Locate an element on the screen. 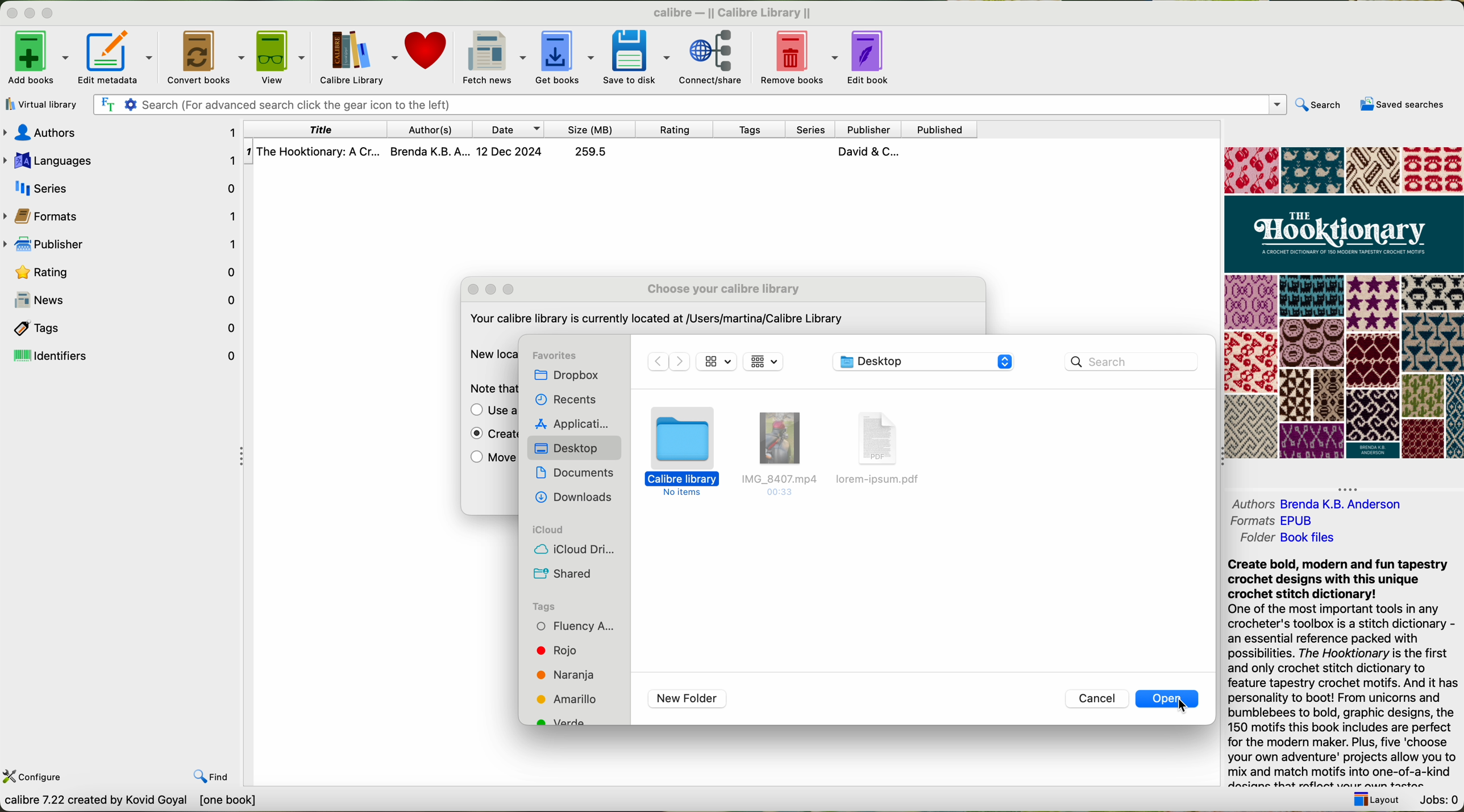  Calibre library is located at coordinates (356, 57).